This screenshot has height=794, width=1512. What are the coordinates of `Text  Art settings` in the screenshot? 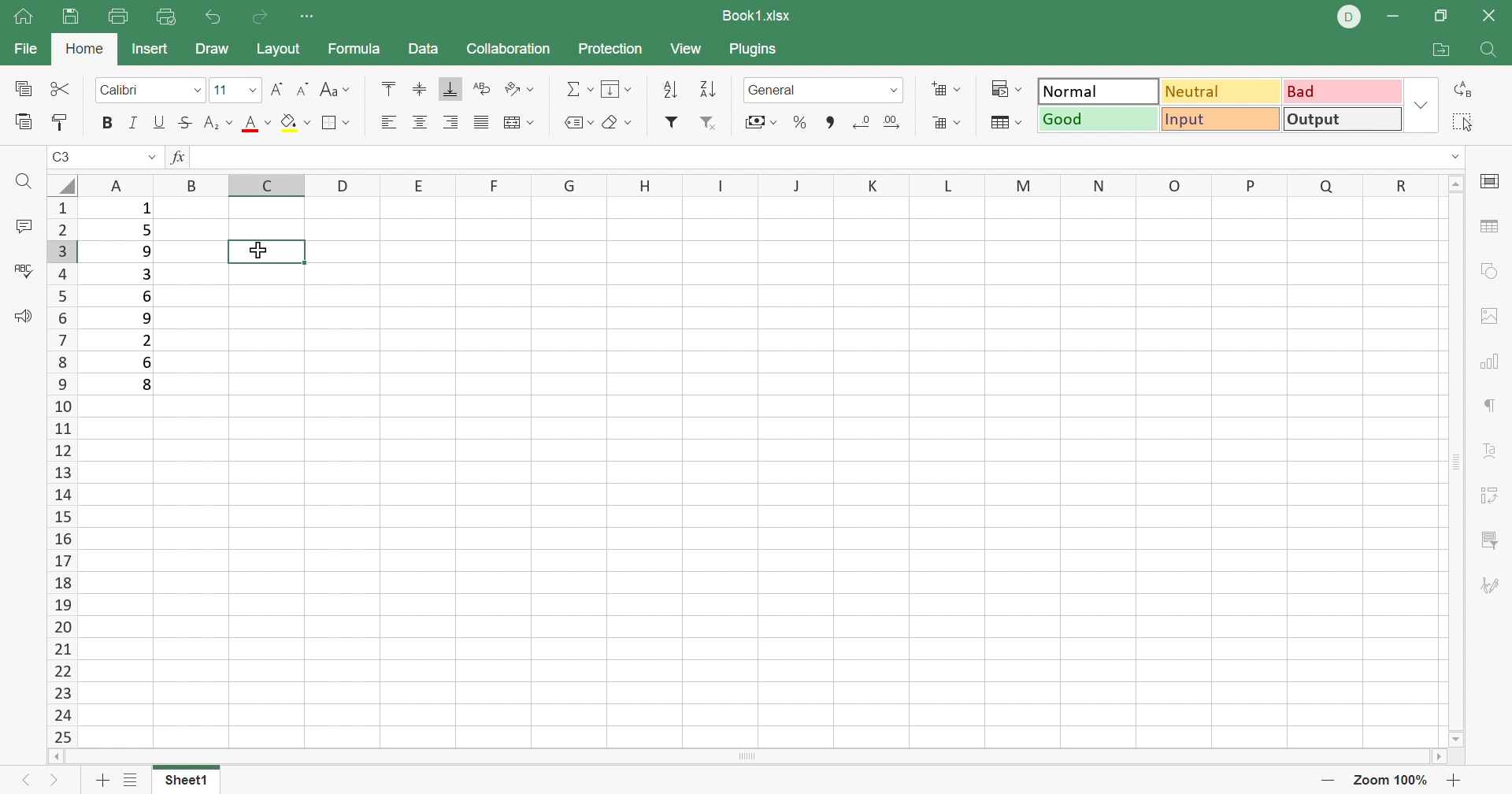 It's located at (1486, 451).